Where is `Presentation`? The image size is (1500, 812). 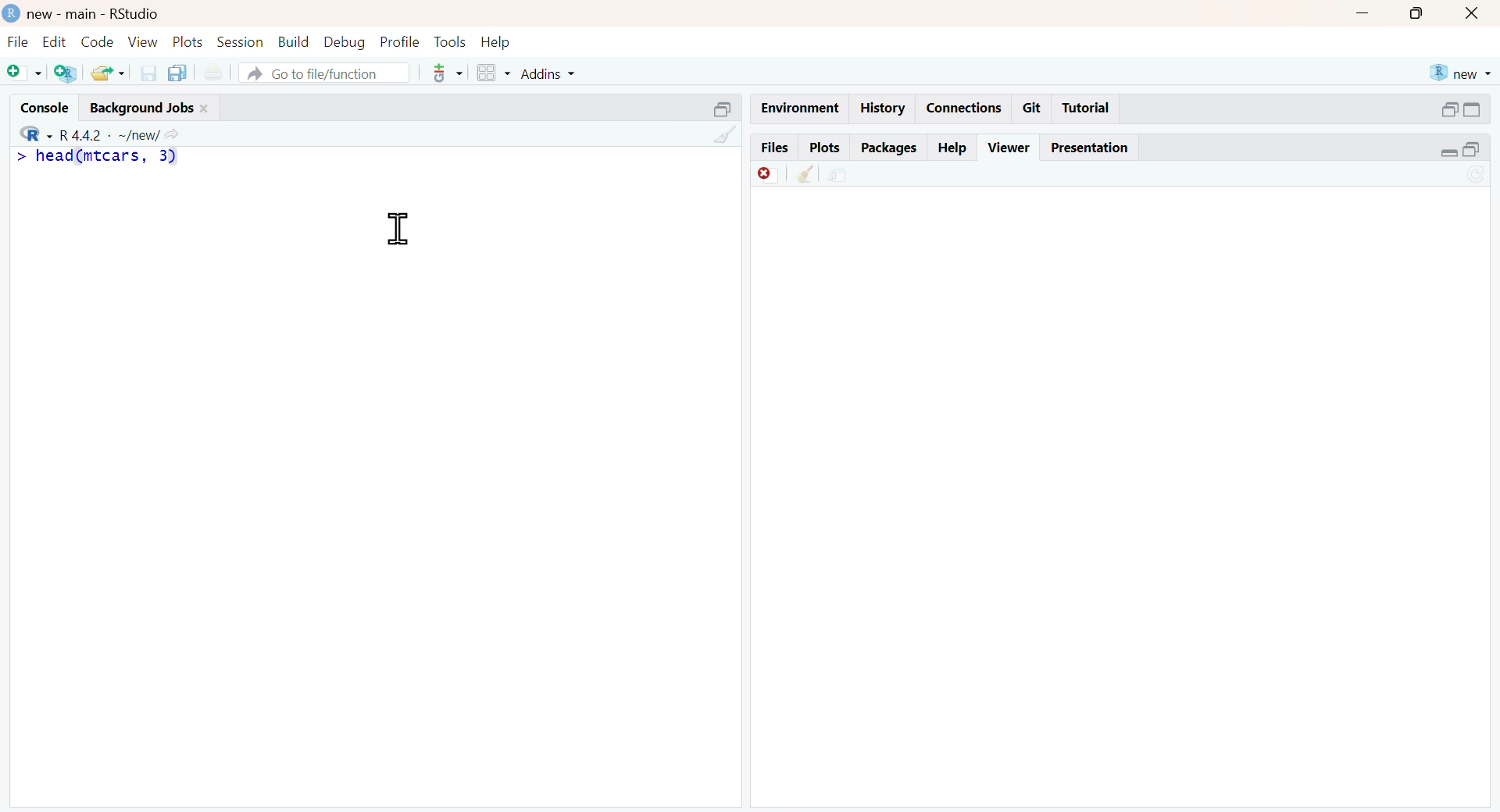
Presentation is located at coordinates (1096, 148).